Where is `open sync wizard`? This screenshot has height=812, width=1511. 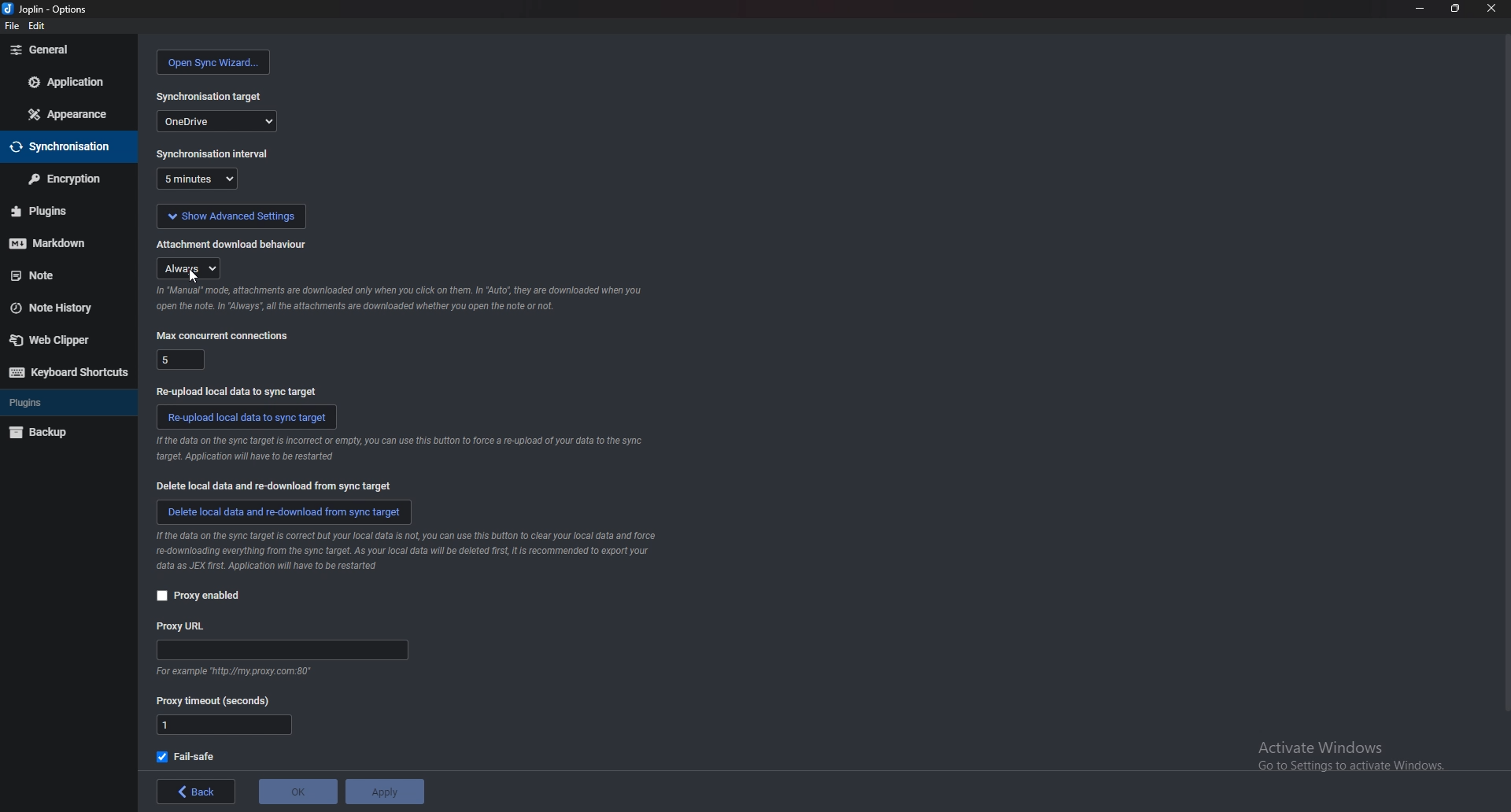
open sync wizard is located at coordinates (214, 62).